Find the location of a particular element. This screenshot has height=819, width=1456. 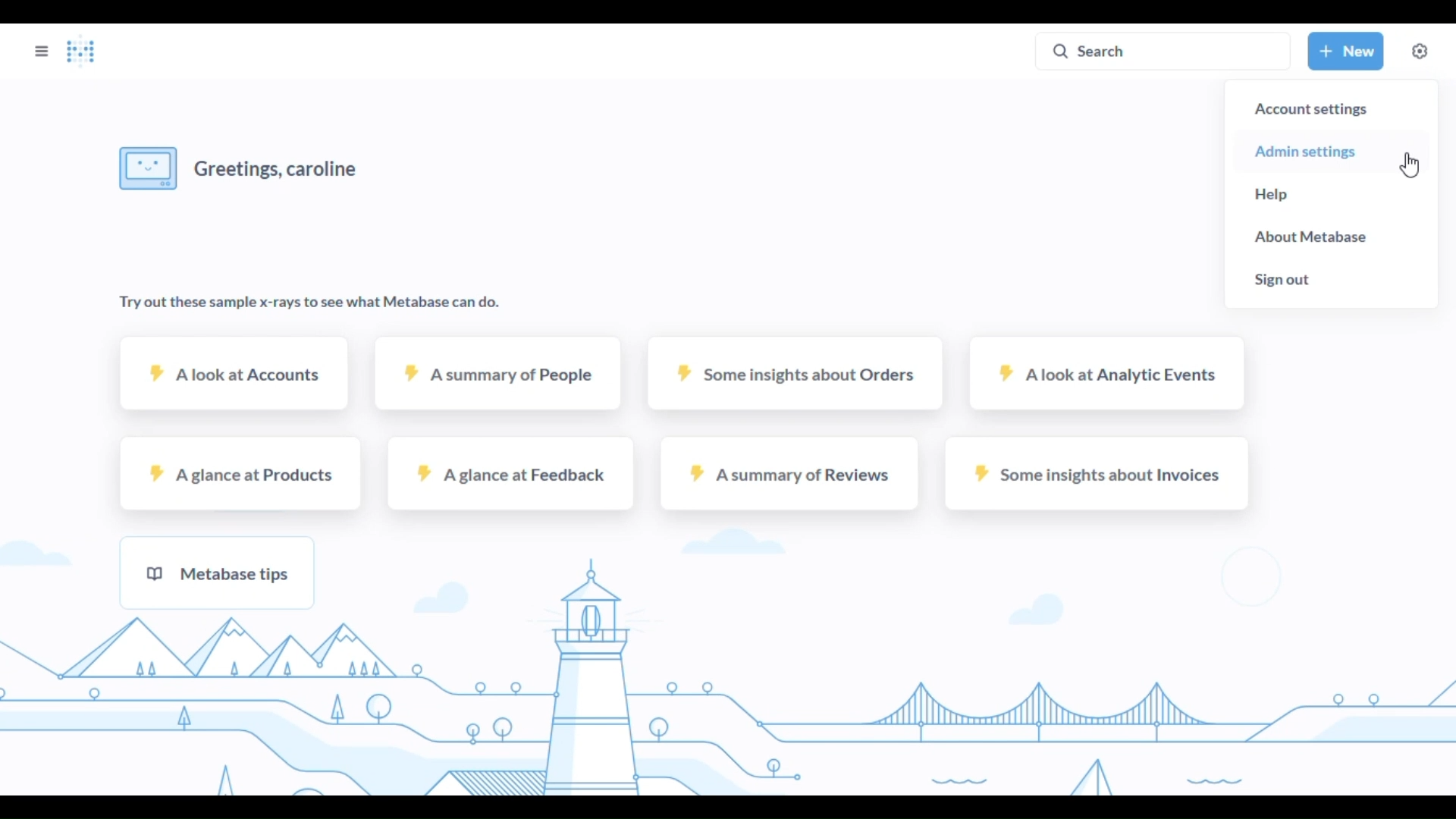

a summary of people is located at coordinates (500, 373).